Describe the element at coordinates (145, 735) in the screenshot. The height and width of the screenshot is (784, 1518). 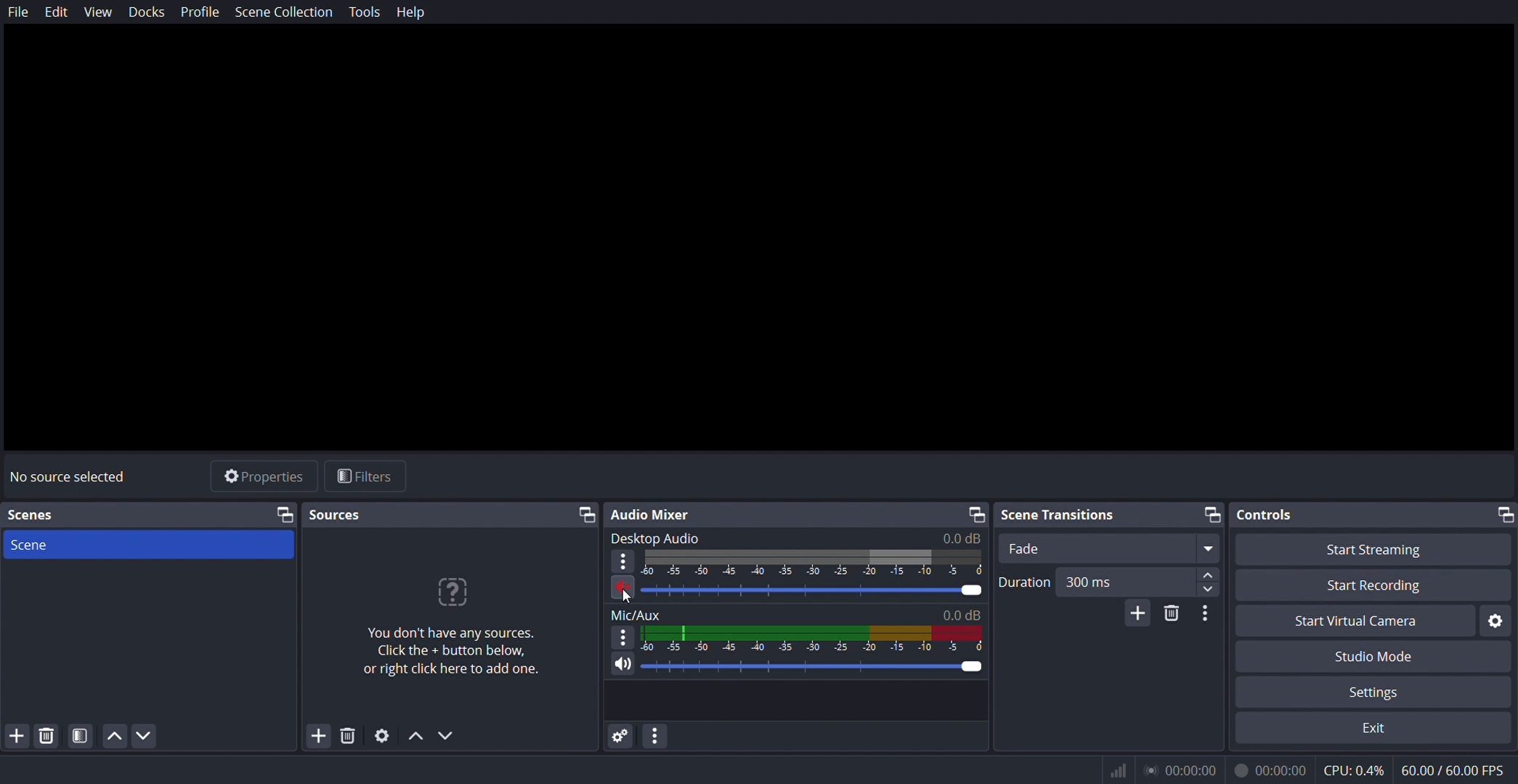
I see `move down ` at that location.